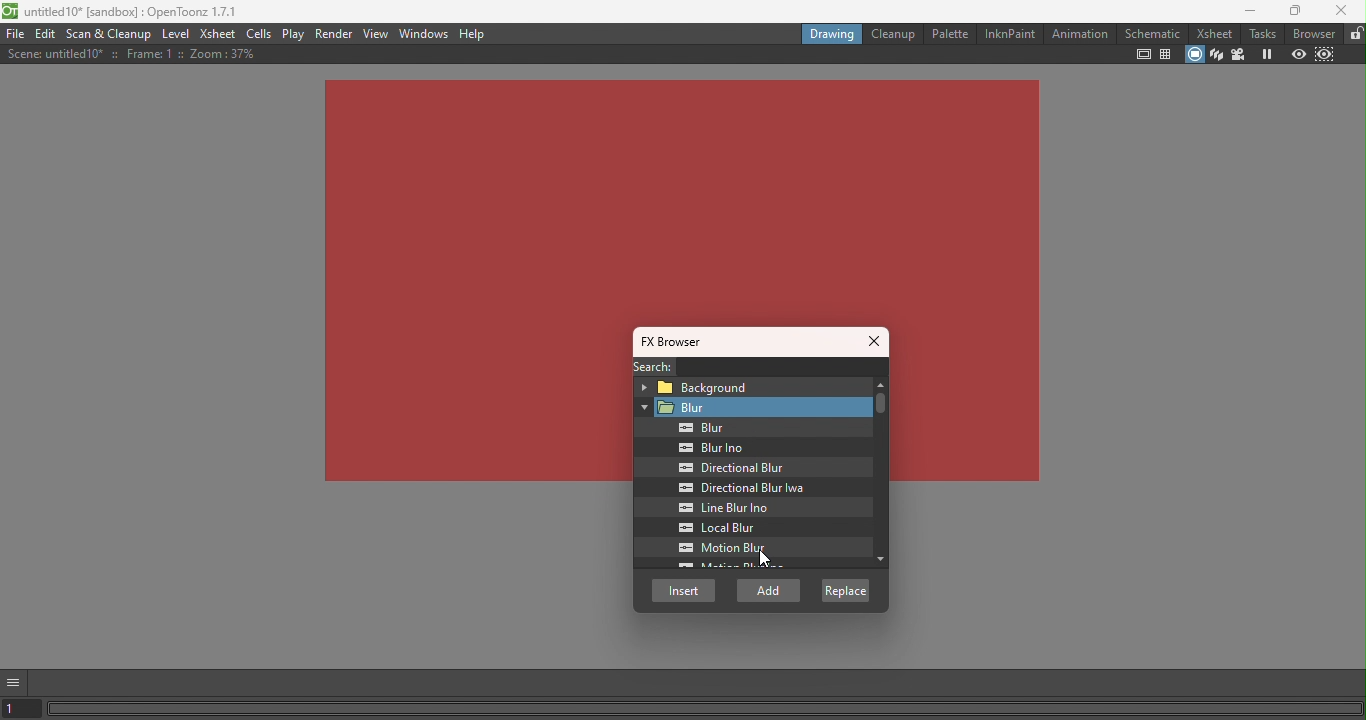  I want to click on Lock rooms tab, so click(1356, 34).